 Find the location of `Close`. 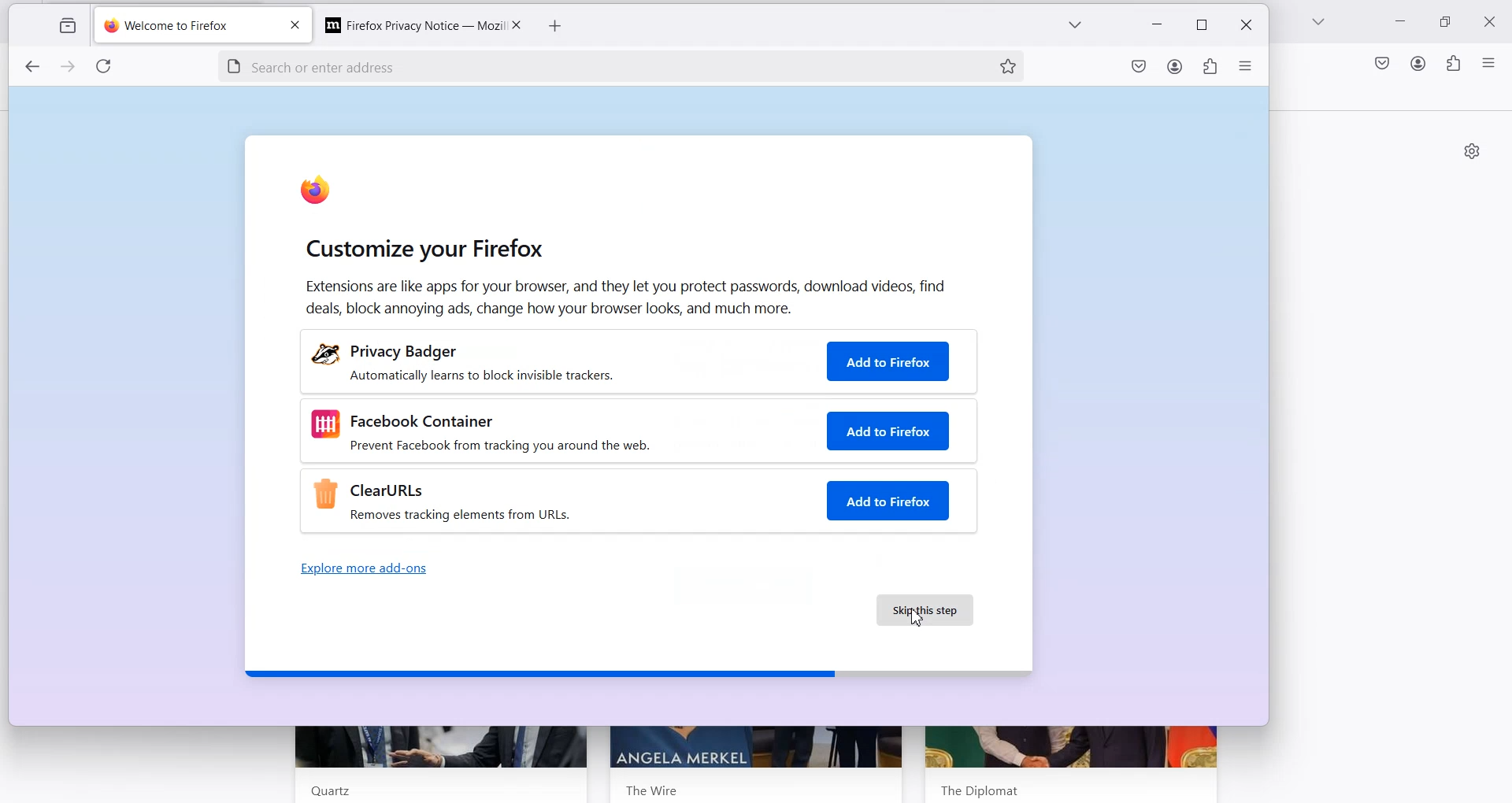

Close is located at coordinates (1494, 20).